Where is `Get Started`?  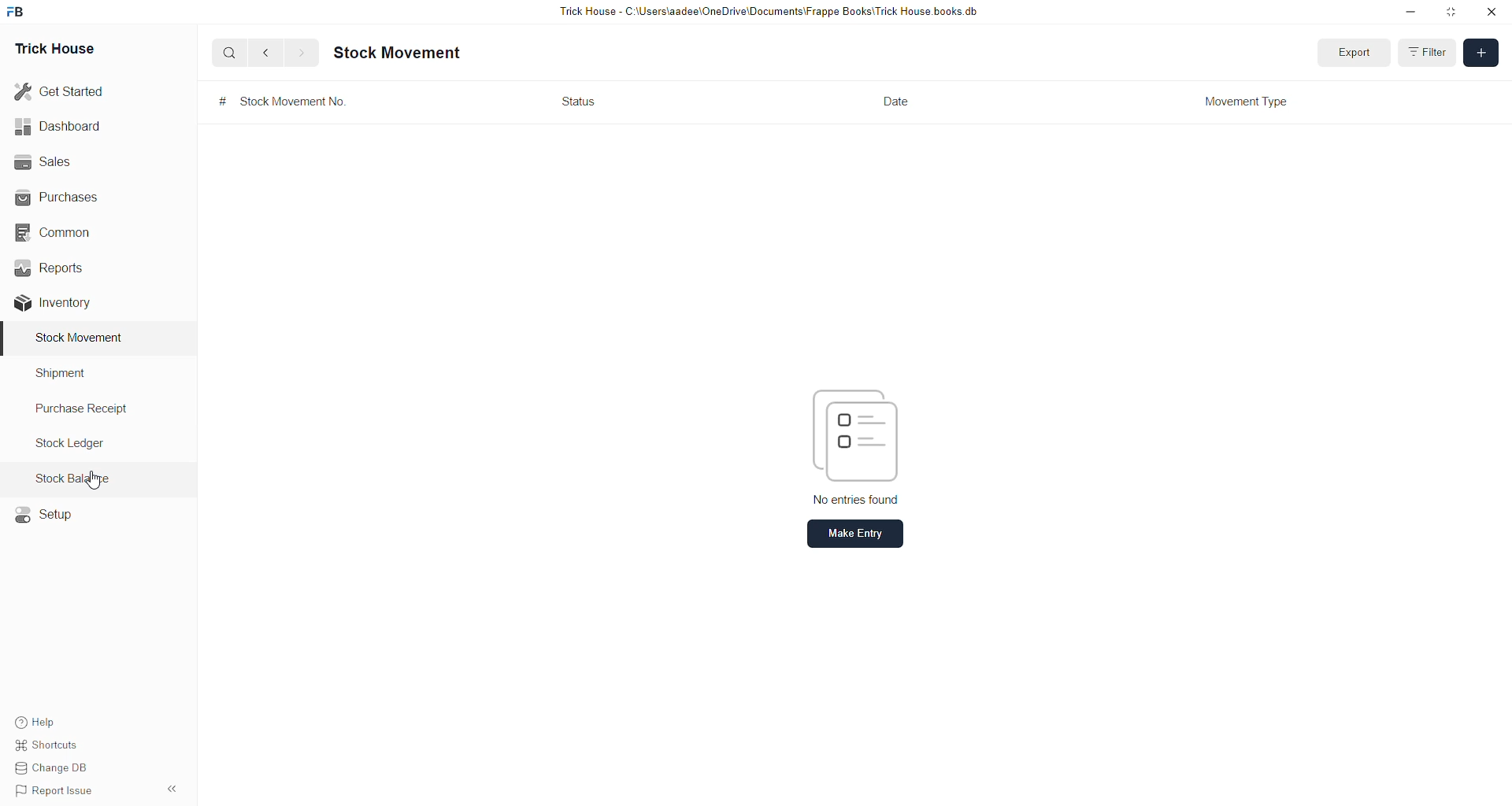
Get Started is located at coordinates (61, 94).